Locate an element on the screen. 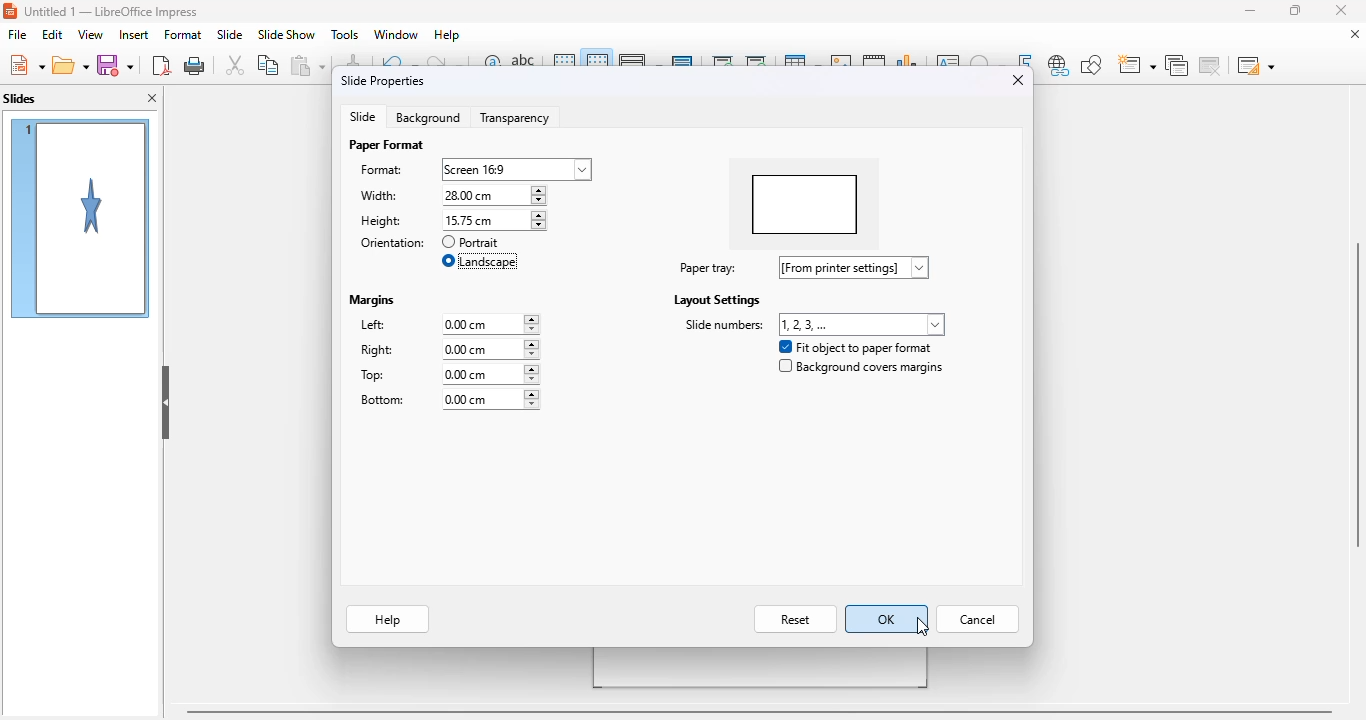 The width and height of the screenshot is (1366, 720). close is located at coordinates (1016, 84).